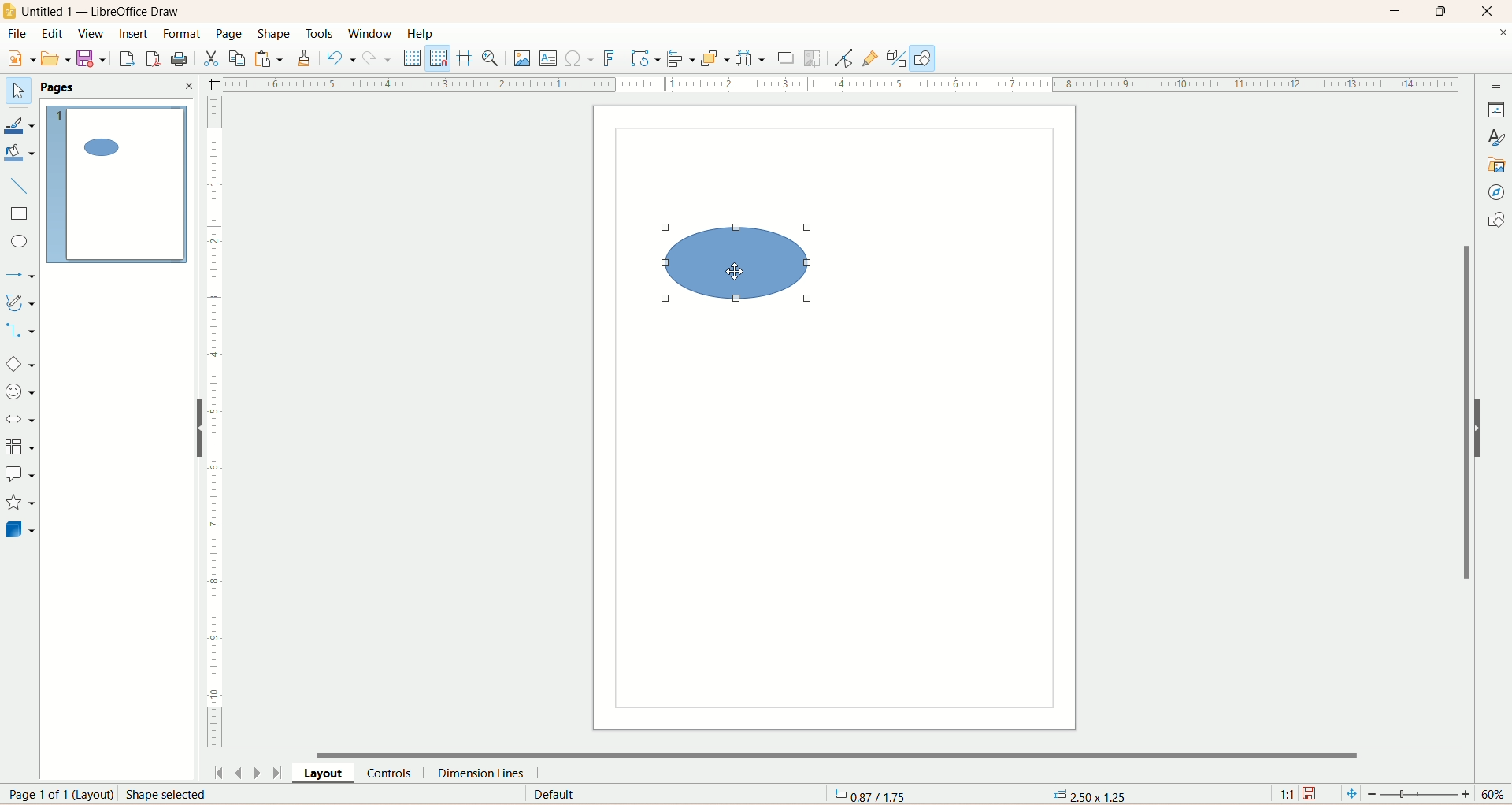 The width and height of the screenshot is (1512, 805). Describe the element at coordinates (106, 792) in the screenshot. I see `page number` at that location.